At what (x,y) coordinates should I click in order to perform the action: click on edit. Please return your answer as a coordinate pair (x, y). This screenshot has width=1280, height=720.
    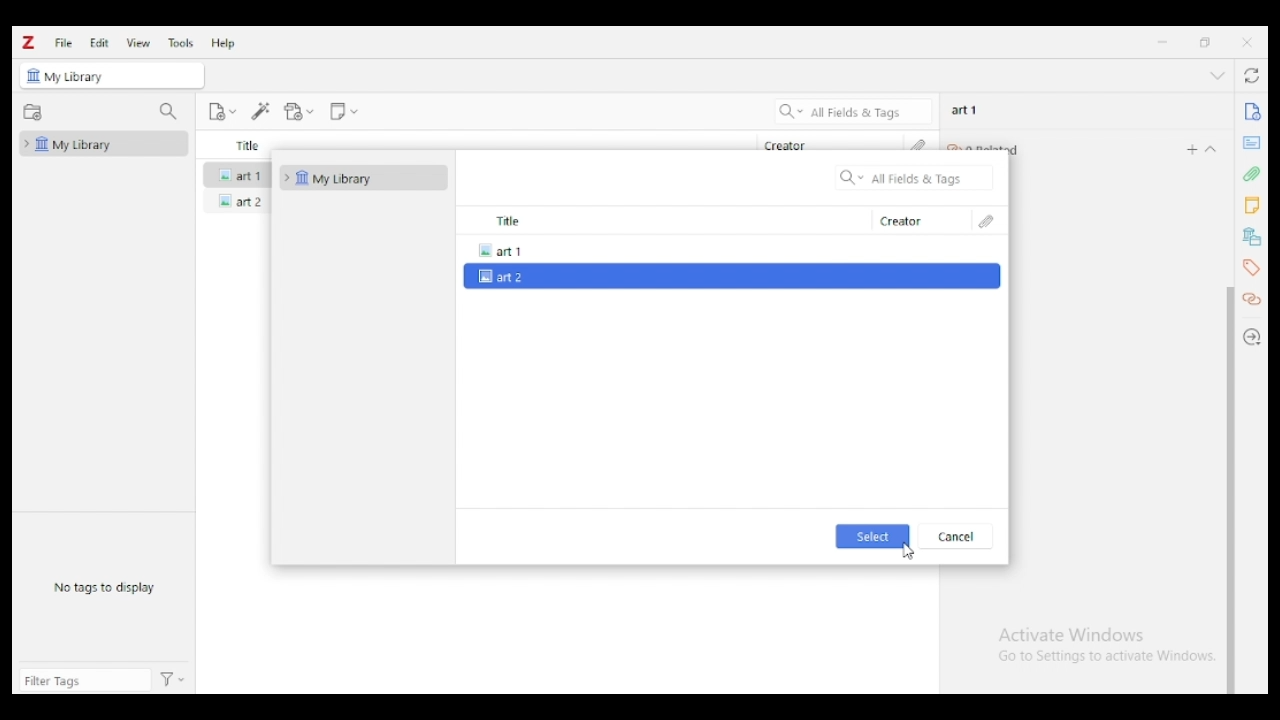
    Looking at the image, I should click on (99, 42).